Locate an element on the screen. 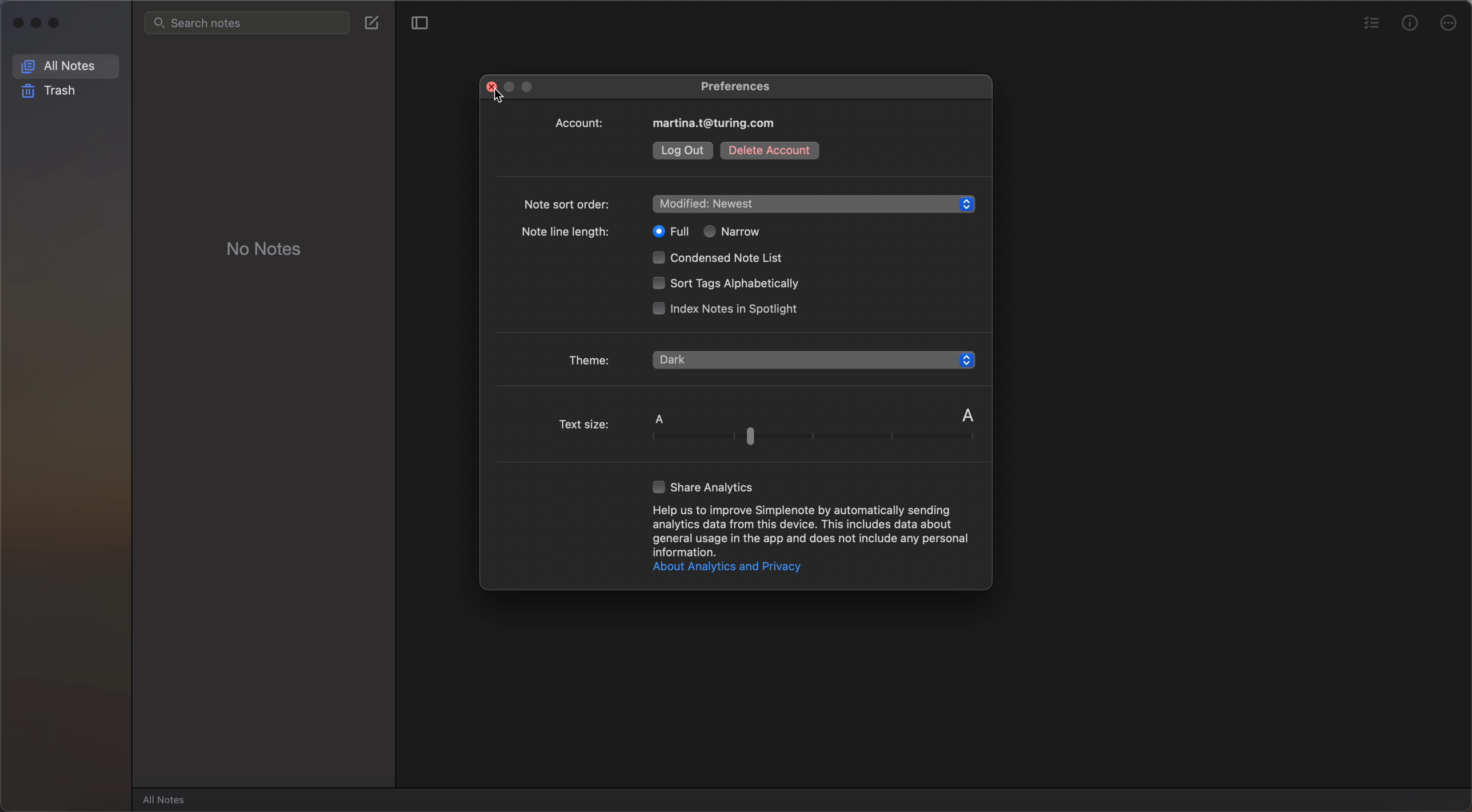 Image resolution: width=1472 pixels, height=812 pixels. preferences is located at coordinates (736, 85).